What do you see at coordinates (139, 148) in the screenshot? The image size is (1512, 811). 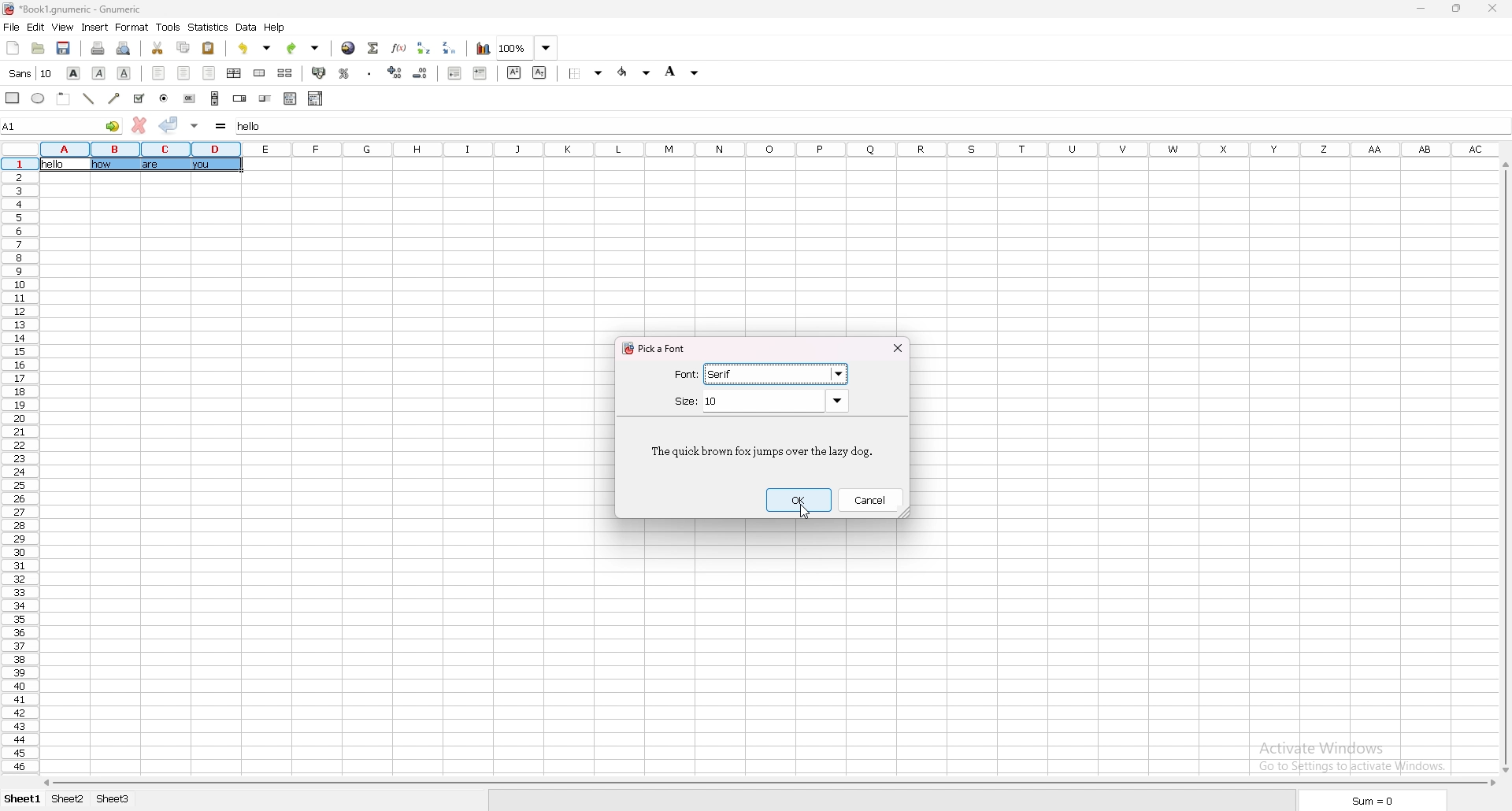 I see `selected cell column` at bounding box center [139, 148].